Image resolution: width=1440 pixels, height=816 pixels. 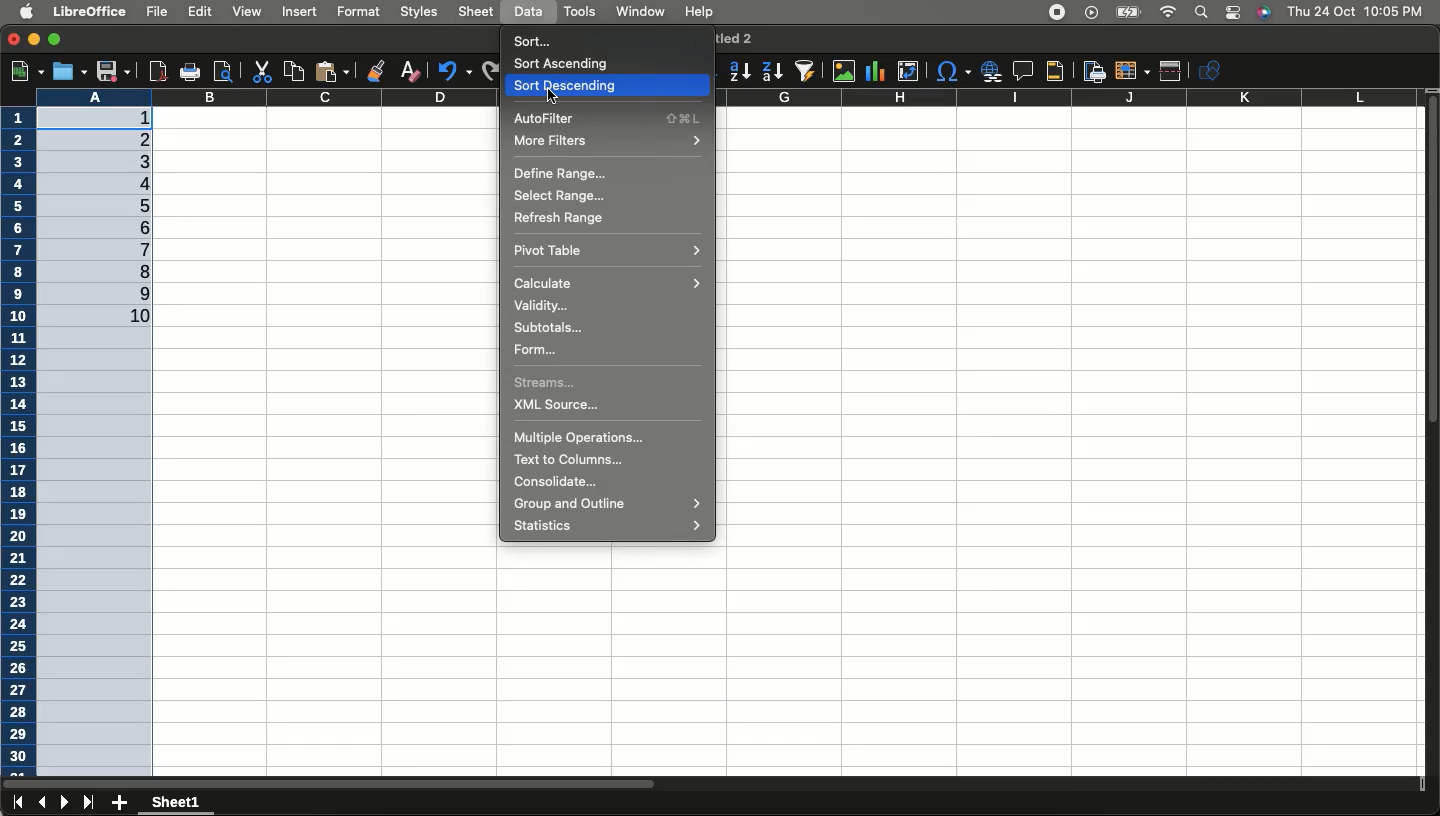 I want to click on Group and outline, so click(x=604, y=505).